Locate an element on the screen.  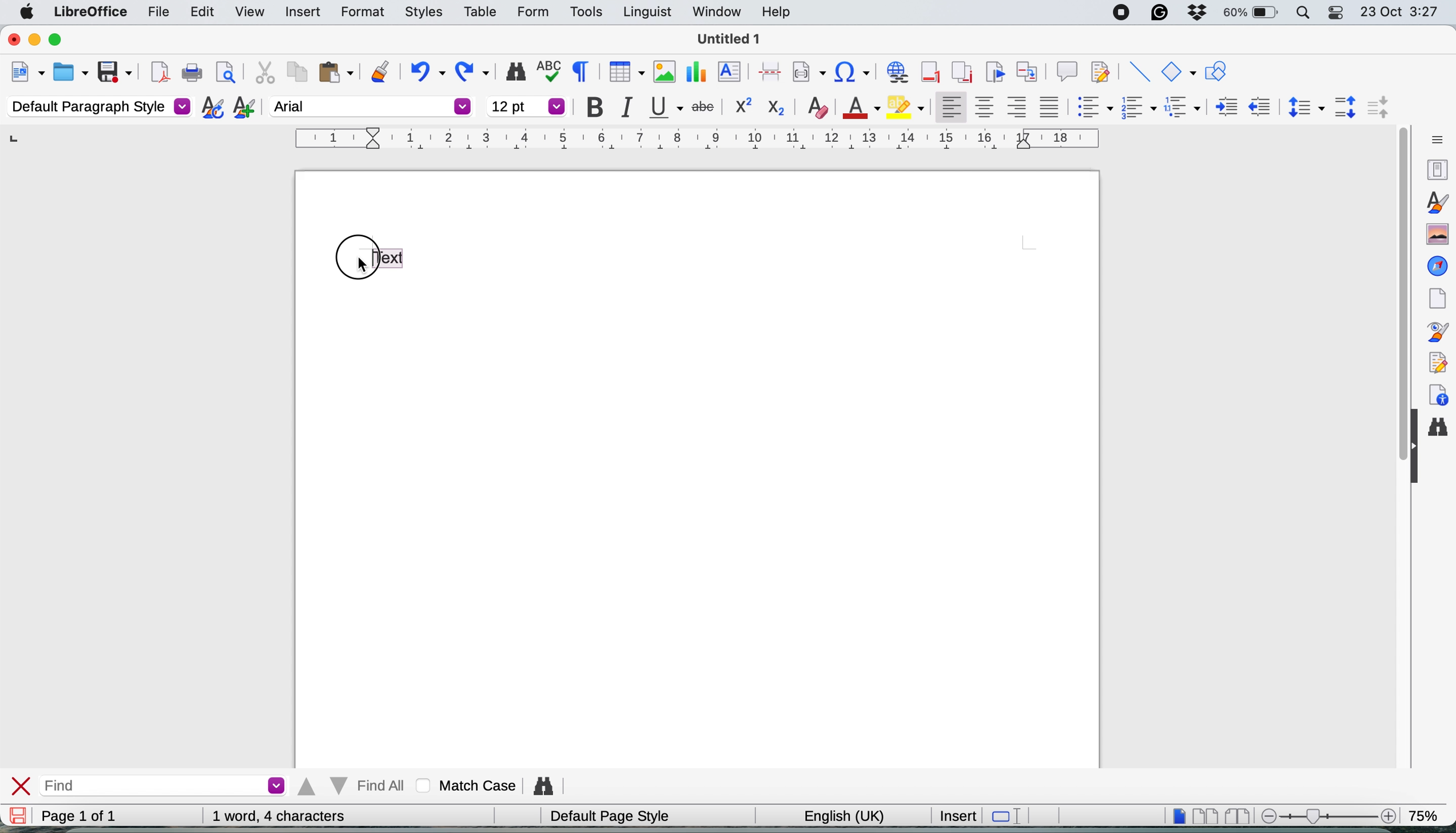
copy is located at coordinates (296, 74).